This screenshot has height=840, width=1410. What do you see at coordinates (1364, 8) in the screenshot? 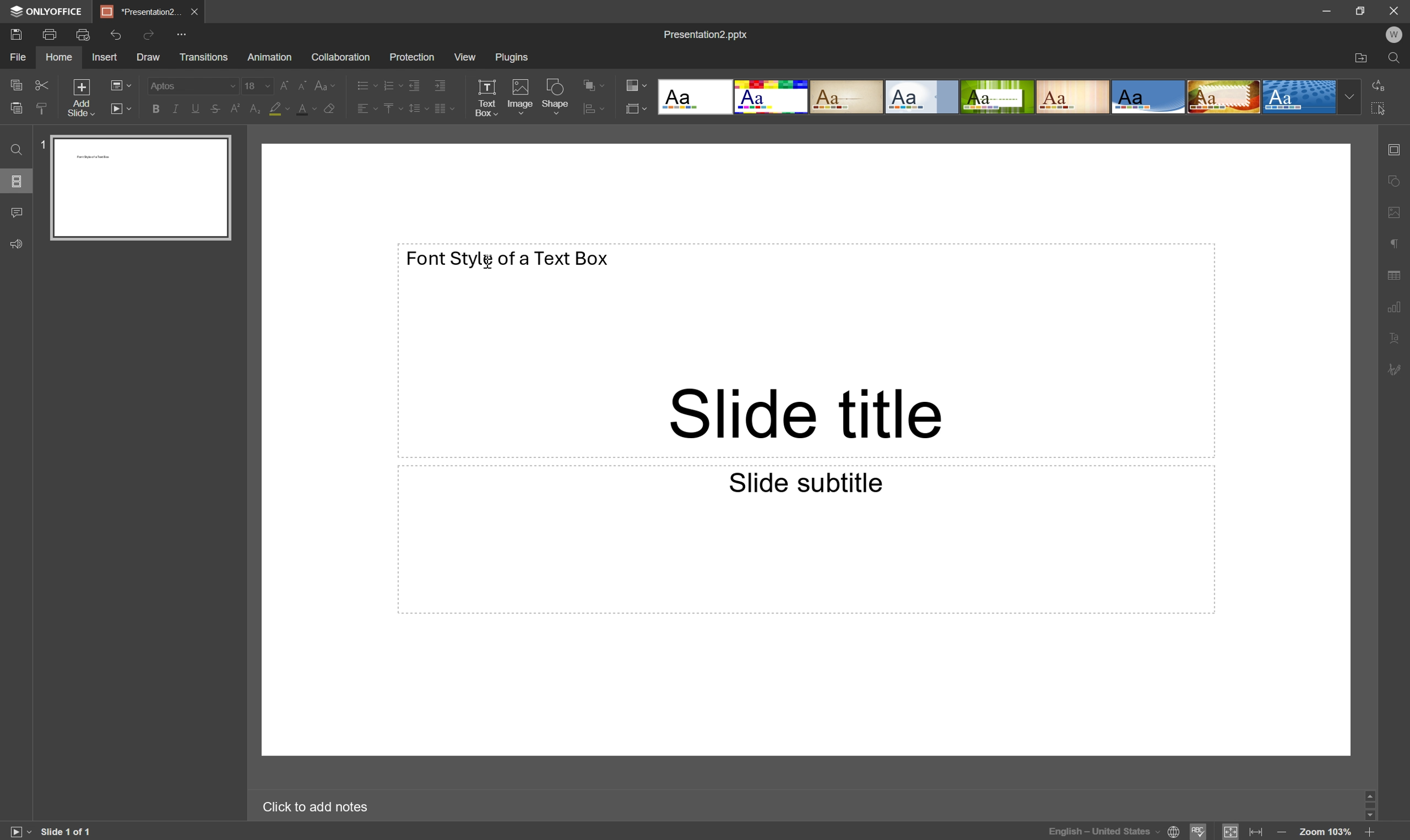
I see `Restore Down` at bounding box center [1364, 8].